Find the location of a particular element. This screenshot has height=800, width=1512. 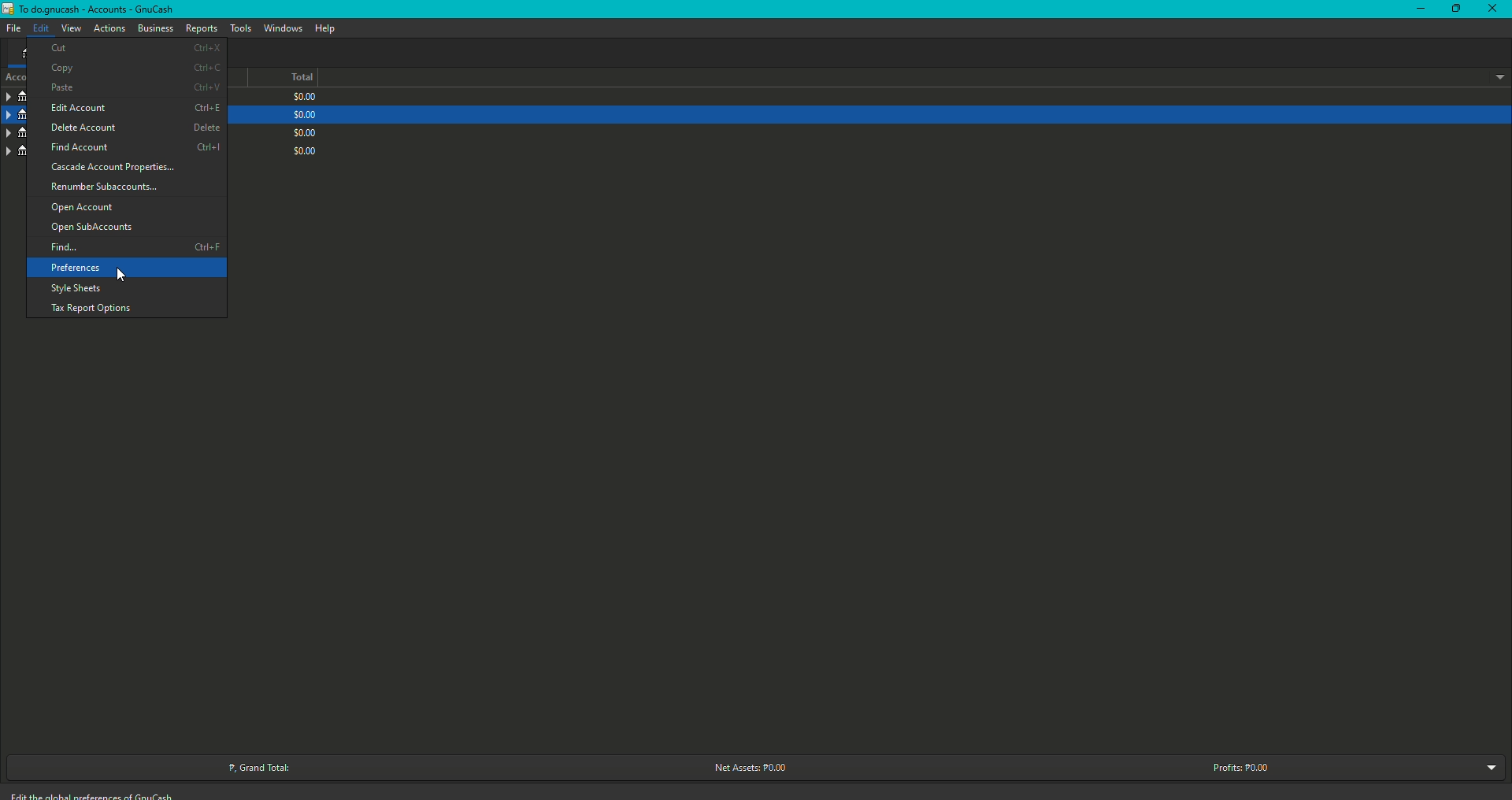

Event description is located at coordinates (98, 794).